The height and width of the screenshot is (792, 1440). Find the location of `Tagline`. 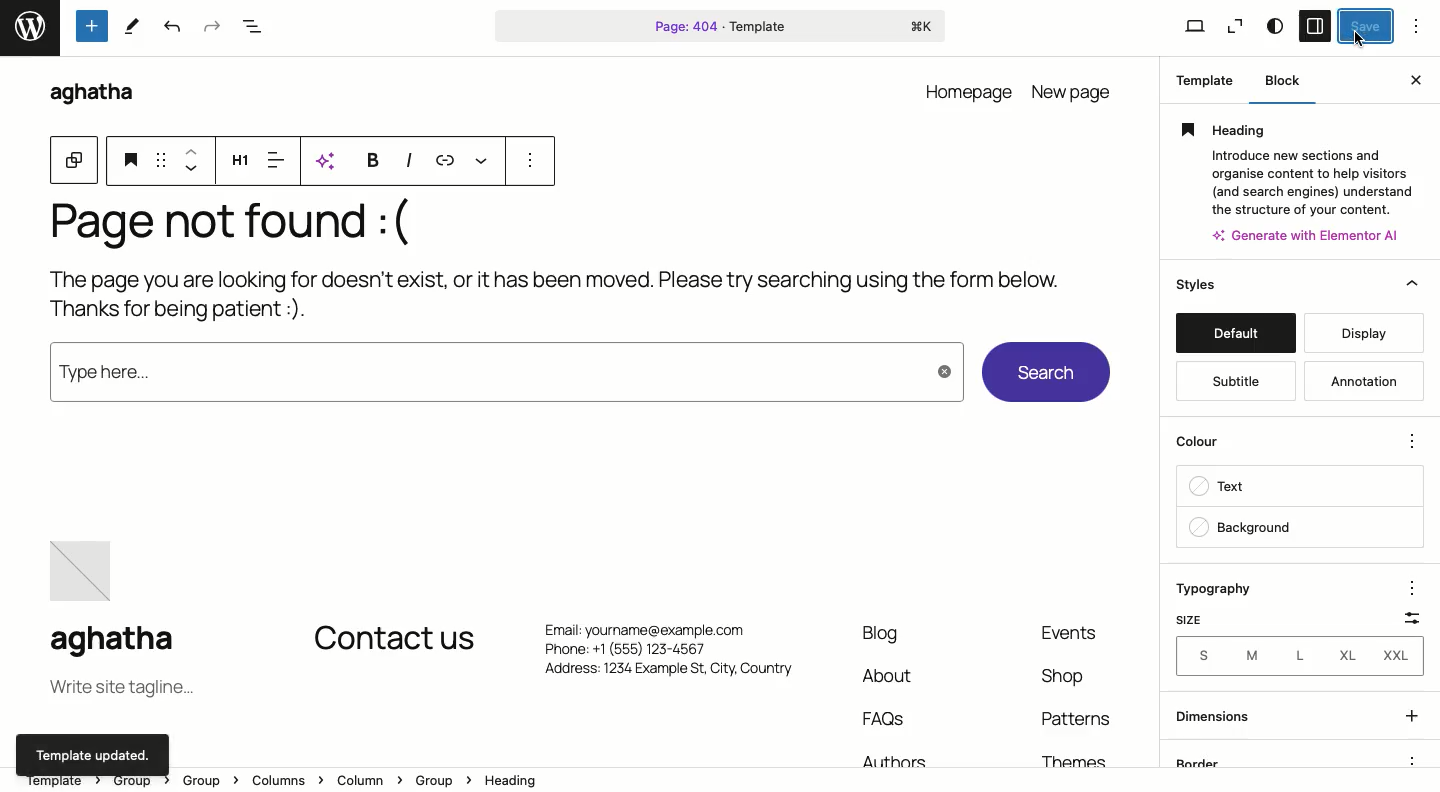

Tagline is located at coordinates (120, 689).